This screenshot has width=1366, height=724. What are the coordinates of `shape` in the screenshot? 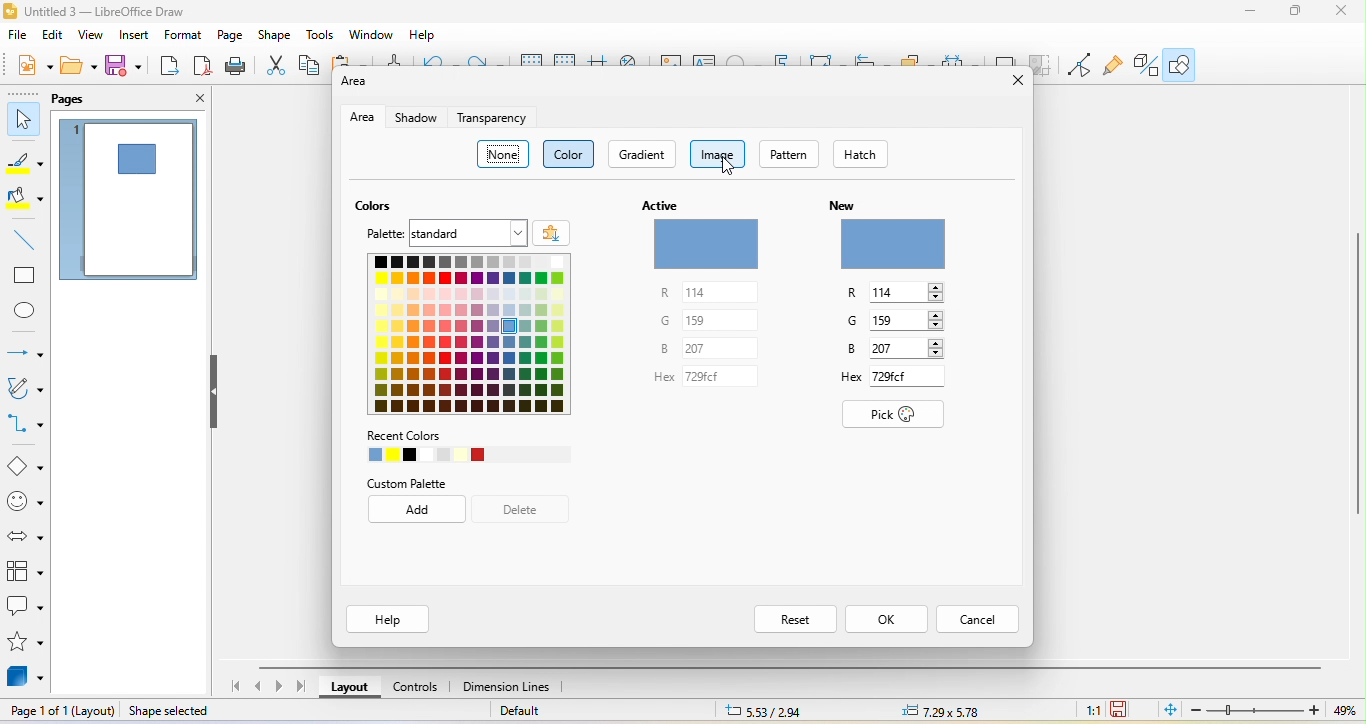 It's located at (279, 37).